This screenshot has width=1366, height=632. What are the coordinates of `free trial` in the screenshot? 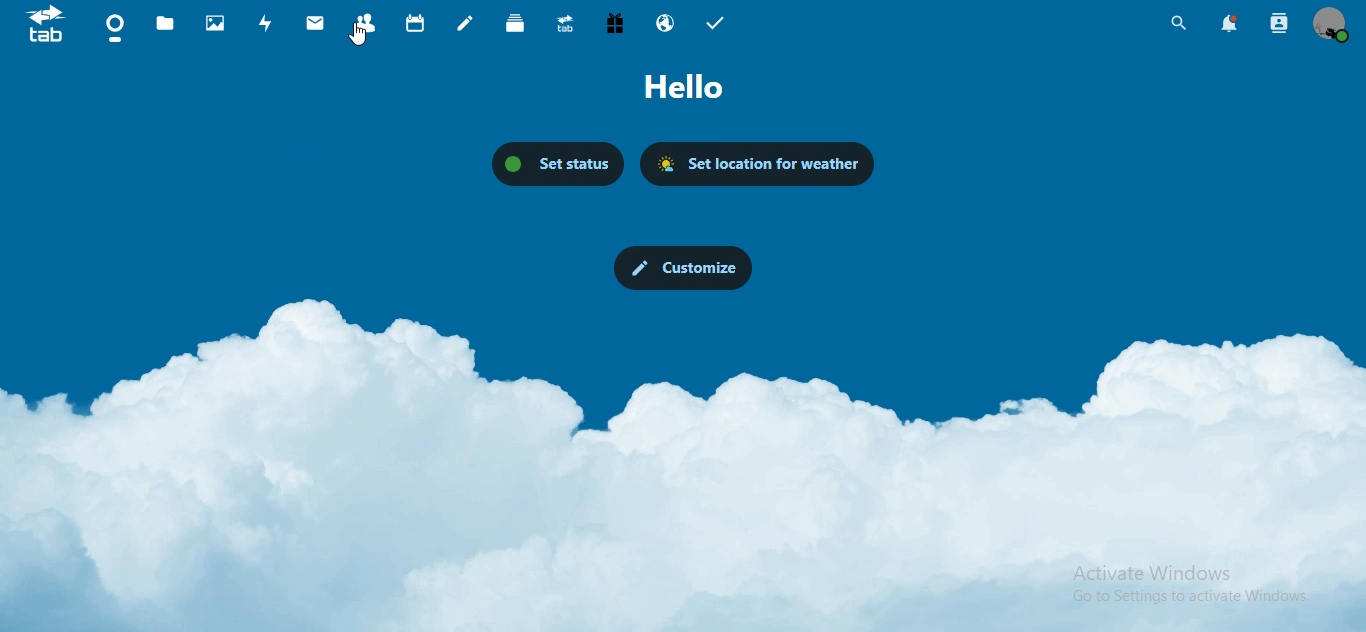 It's located at (618, 24).